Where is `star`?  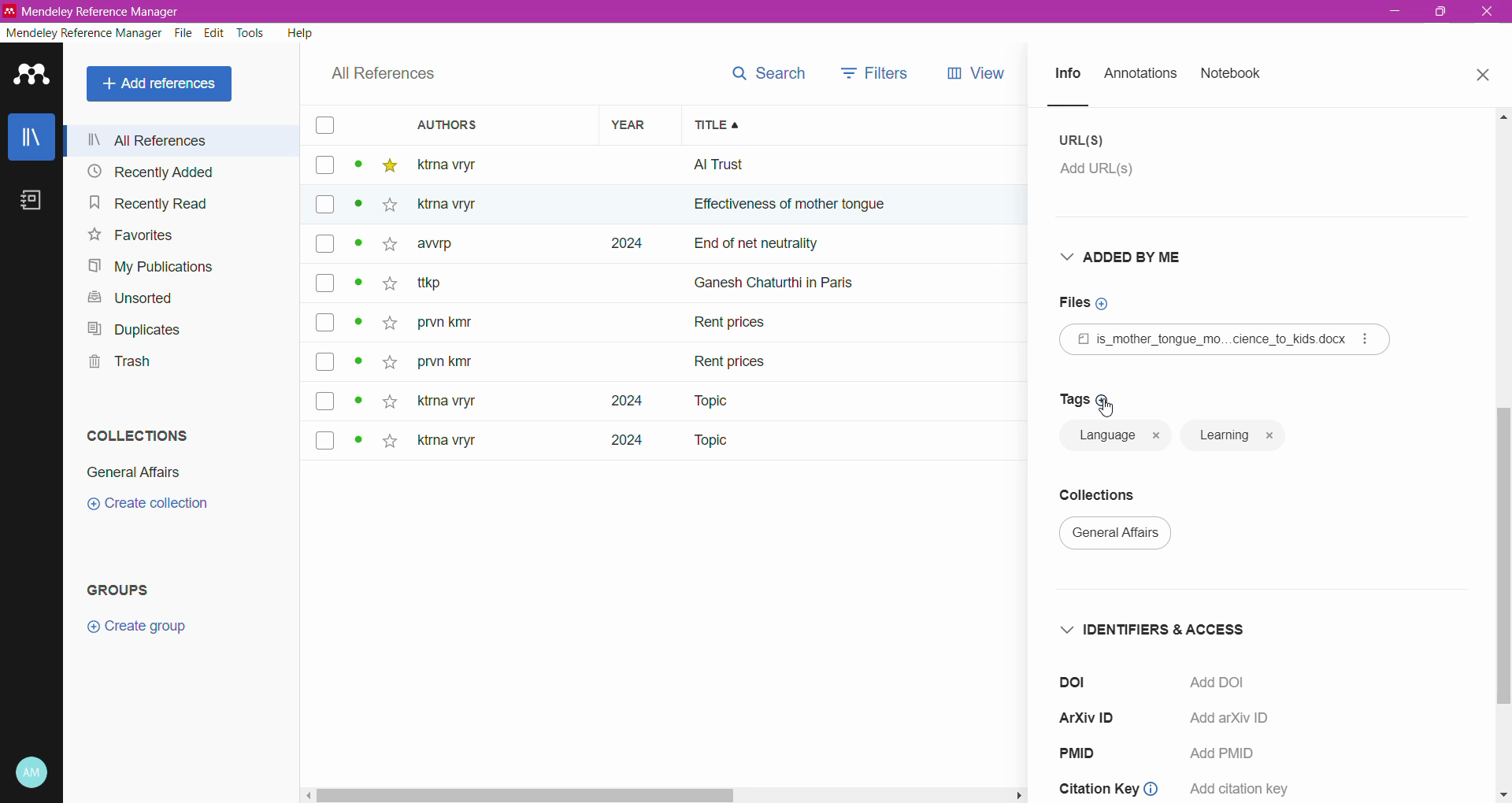 star is located at coordinates (387, 324).